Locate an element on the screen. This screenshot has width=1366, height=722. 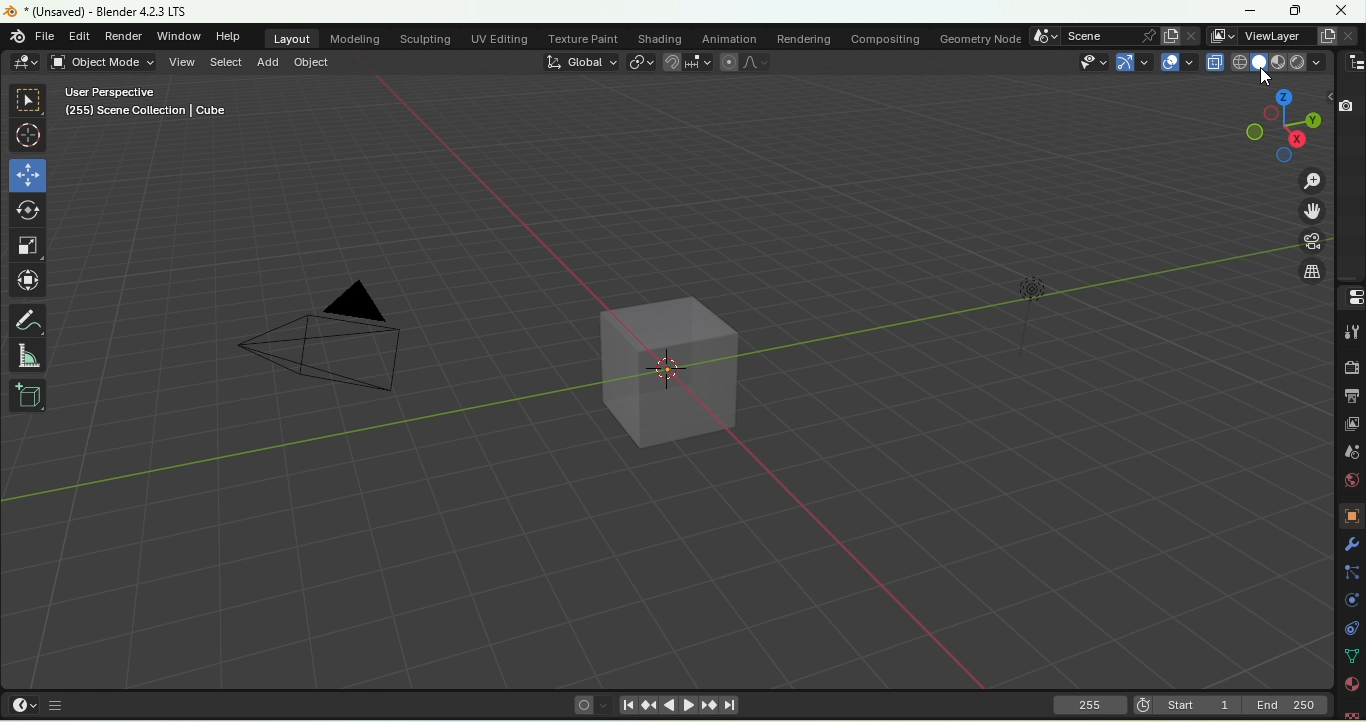
Editor type is located at coordinates (1352, 296).